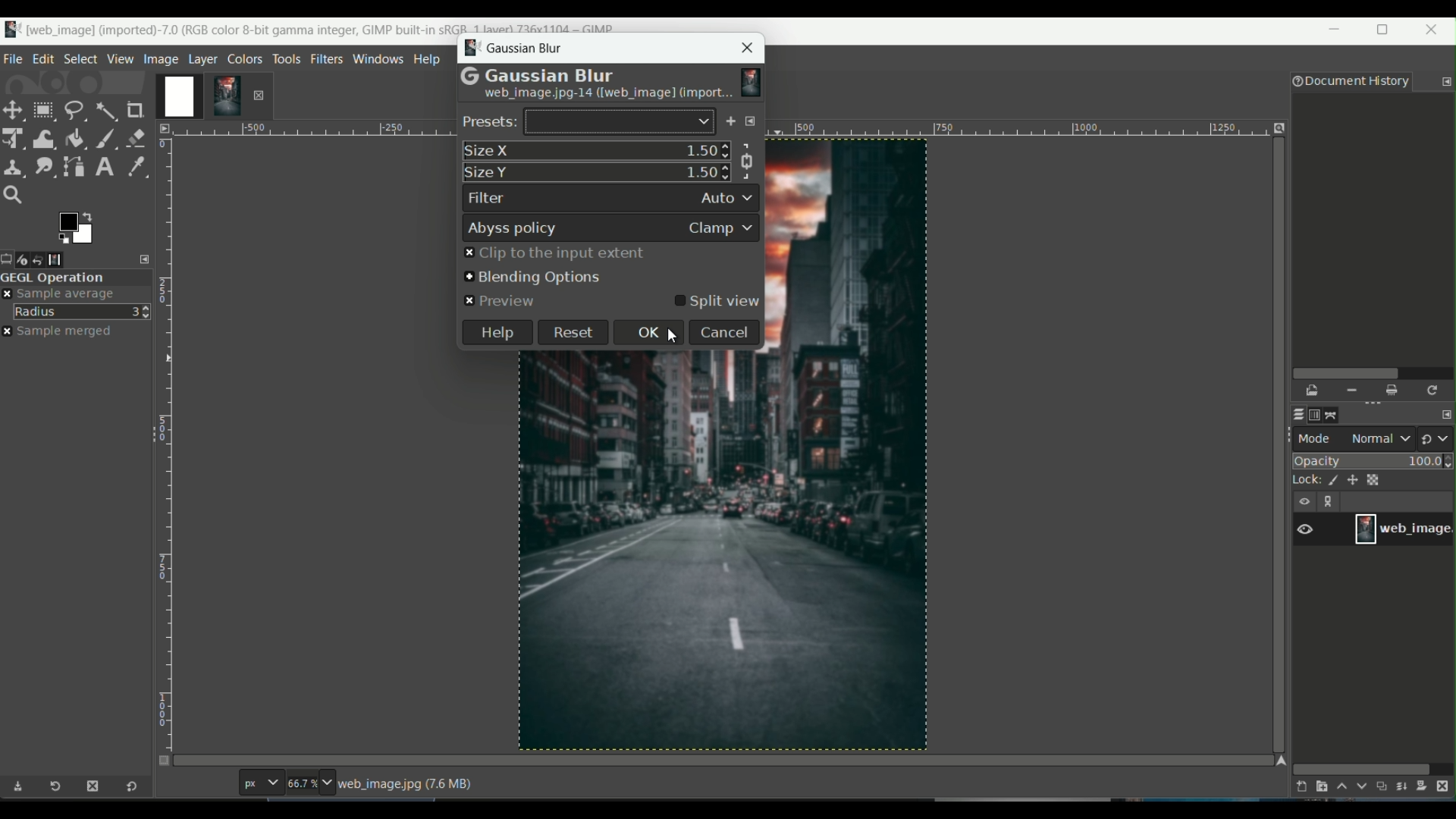  Describe the element at coordinates (309, 785) in the screenshot. I see `image ratio` at that location.